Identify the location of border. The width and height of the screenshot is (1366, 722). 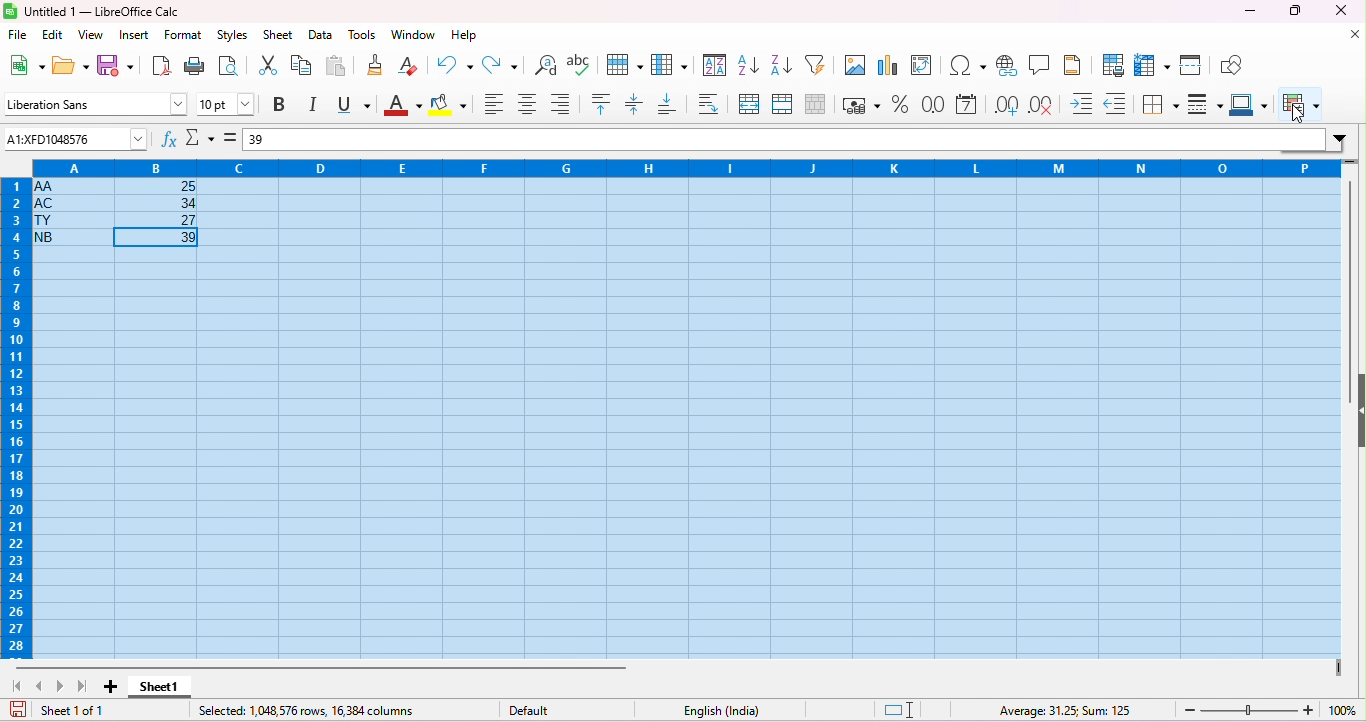
(1160, 104).